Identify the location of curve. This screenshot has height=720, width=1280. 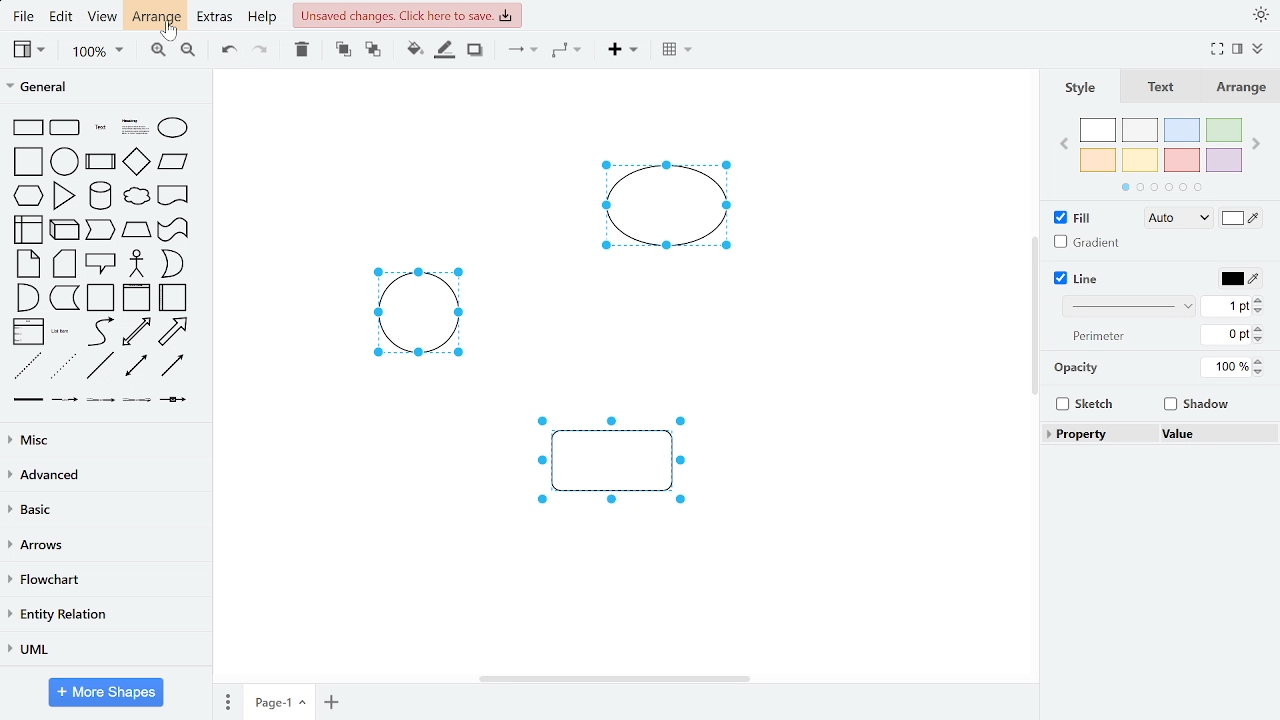
(99, 332).